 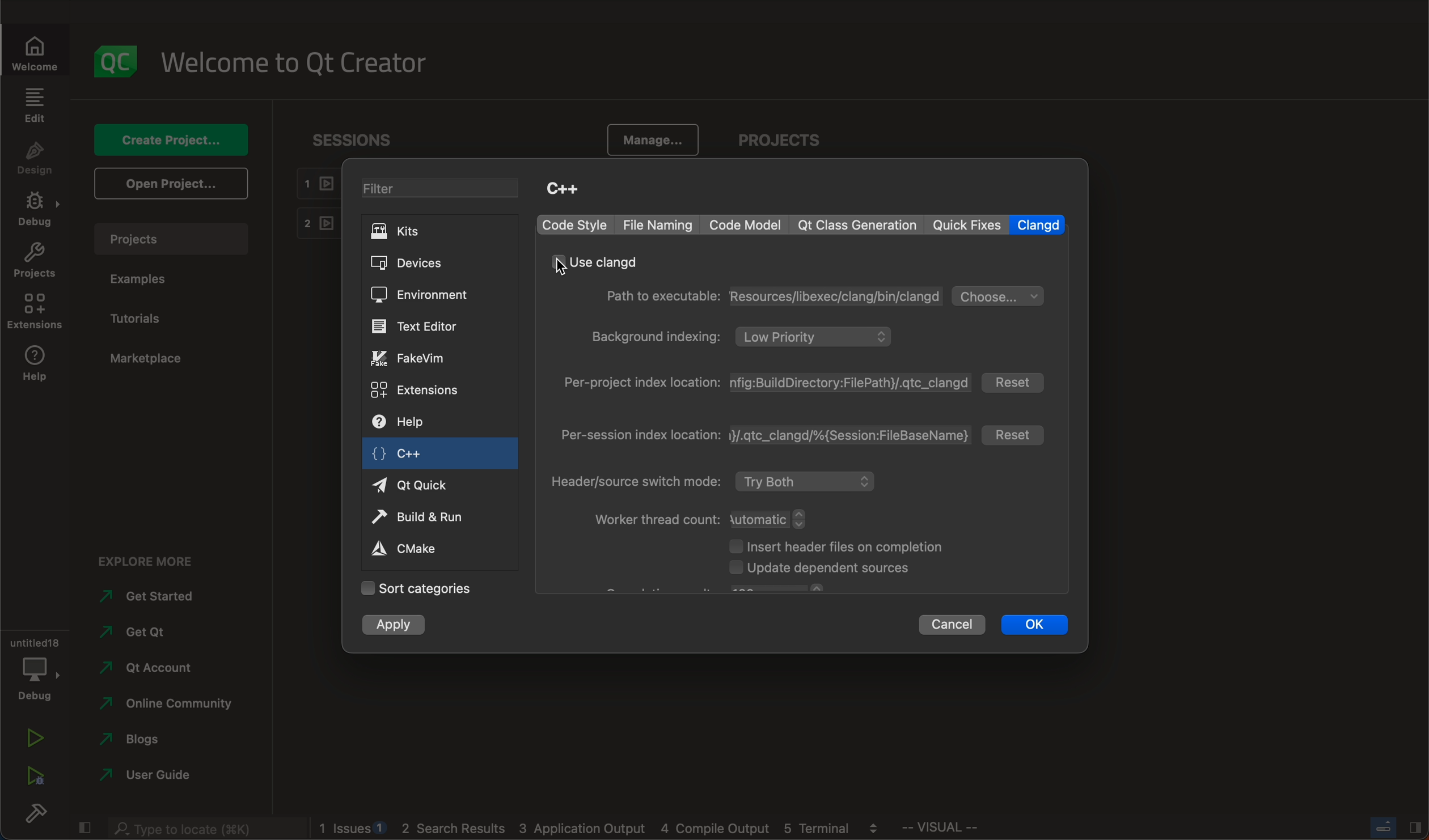 I want to click on quick fixes, so click(x=967, y=224).